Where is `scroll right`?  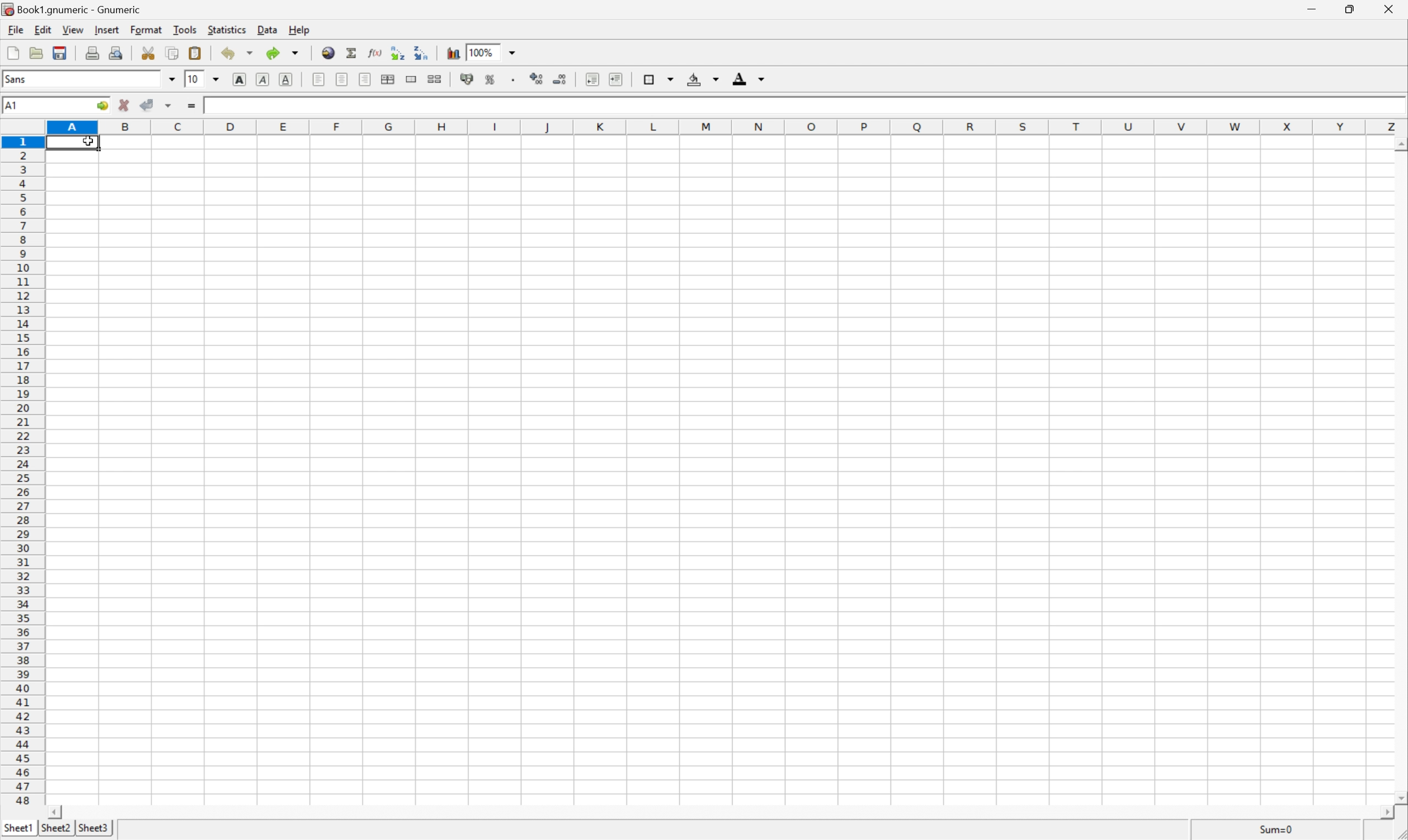 scroll right is located at coordinates (1390, 818).